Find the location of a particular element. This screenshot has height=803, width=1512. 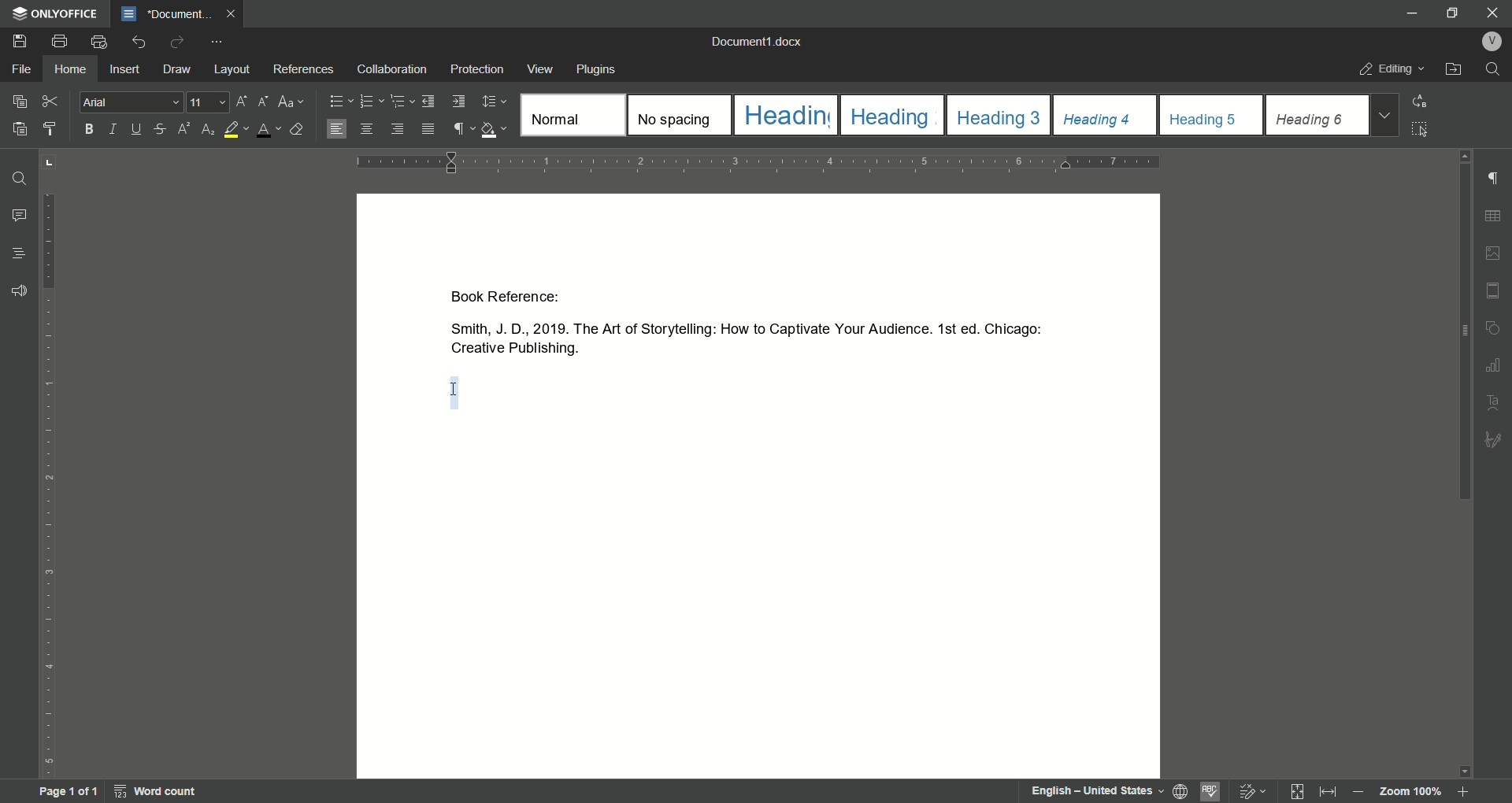

font color is located at coordinates (269, 131).